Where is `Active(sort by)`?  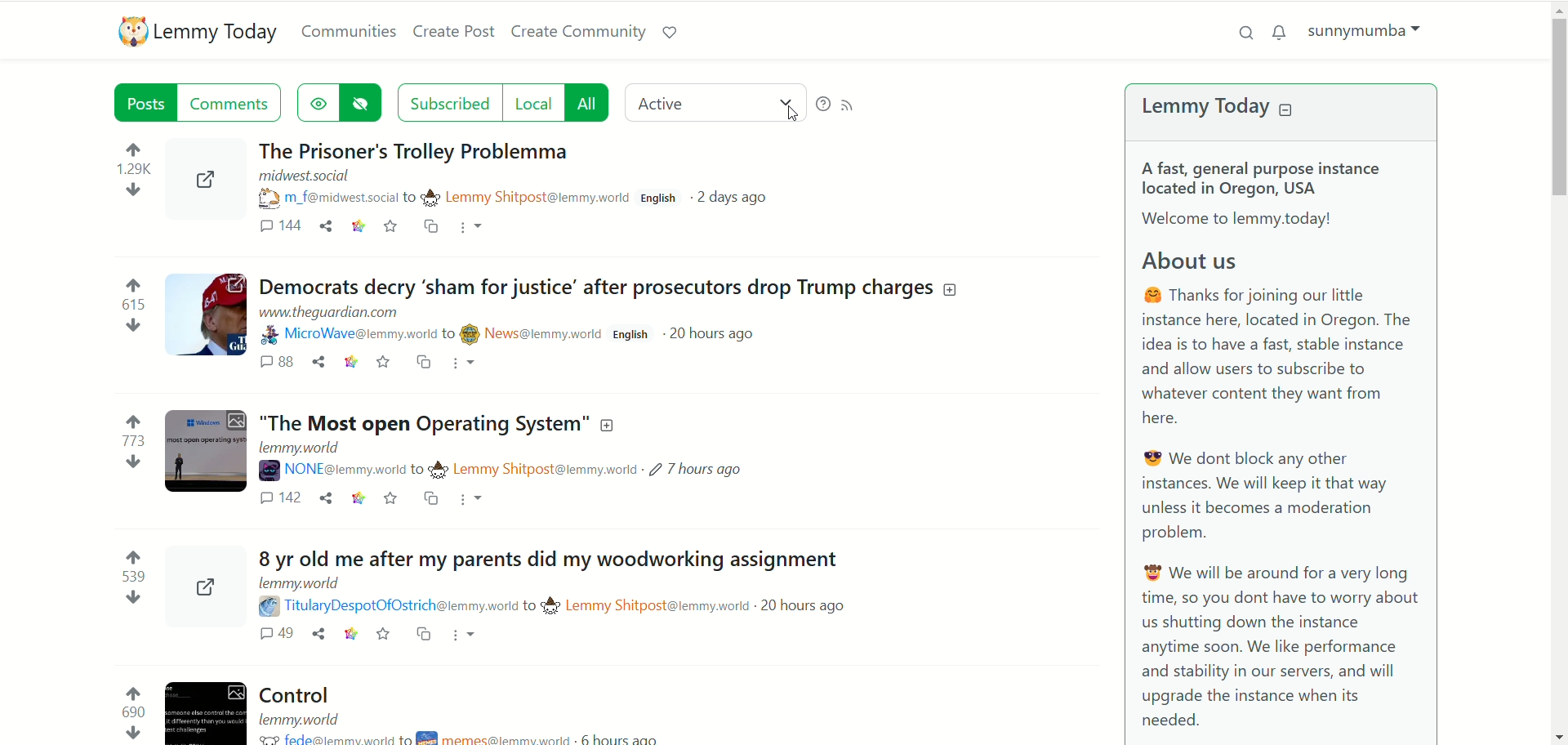 Active(sort by) is located at coordinates (713, 104).